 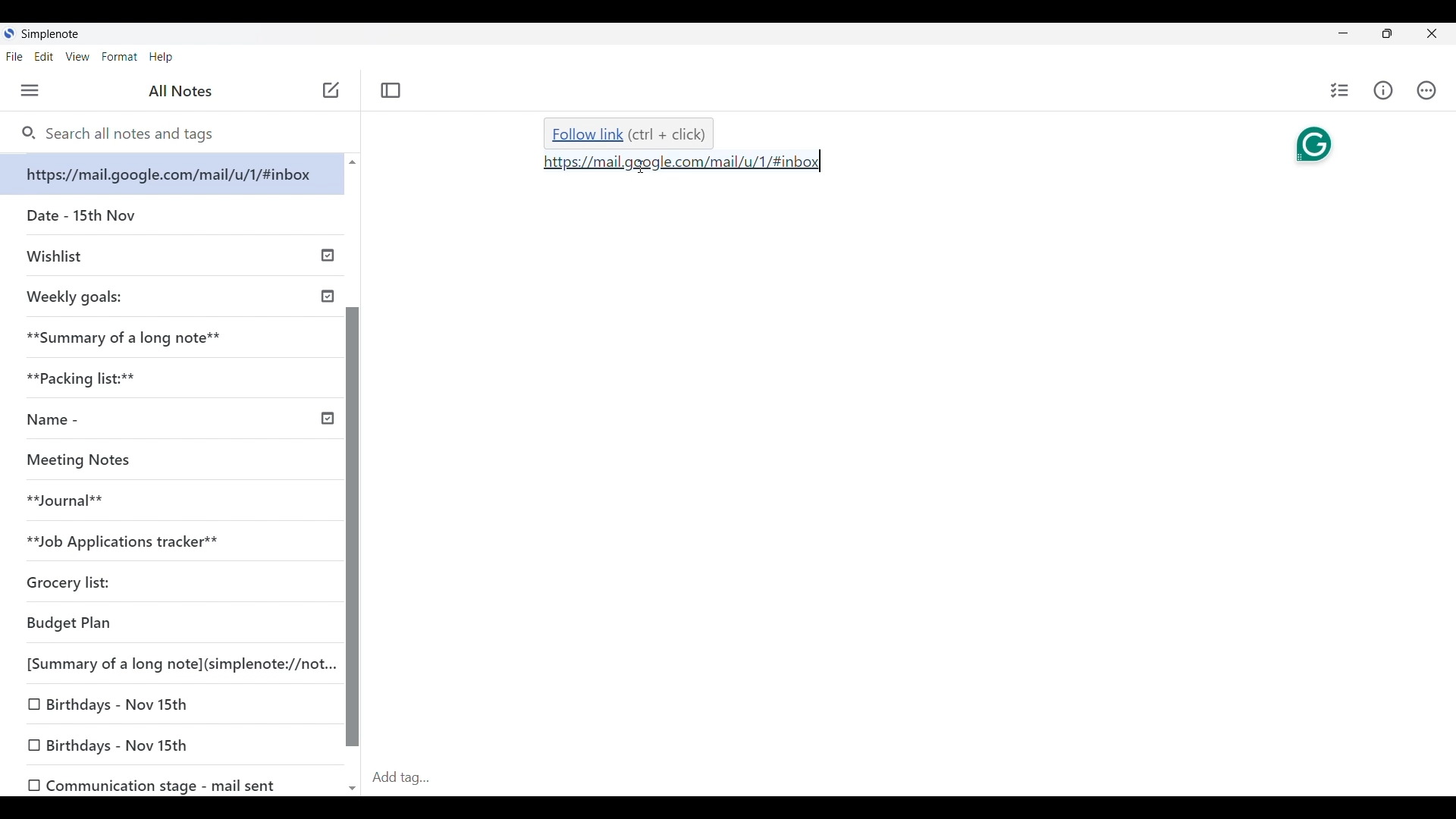 What do you see at coordinates (1341, 90) in the screenshot?
I see `Insert checklist ` at bounding box center [1341, 90].